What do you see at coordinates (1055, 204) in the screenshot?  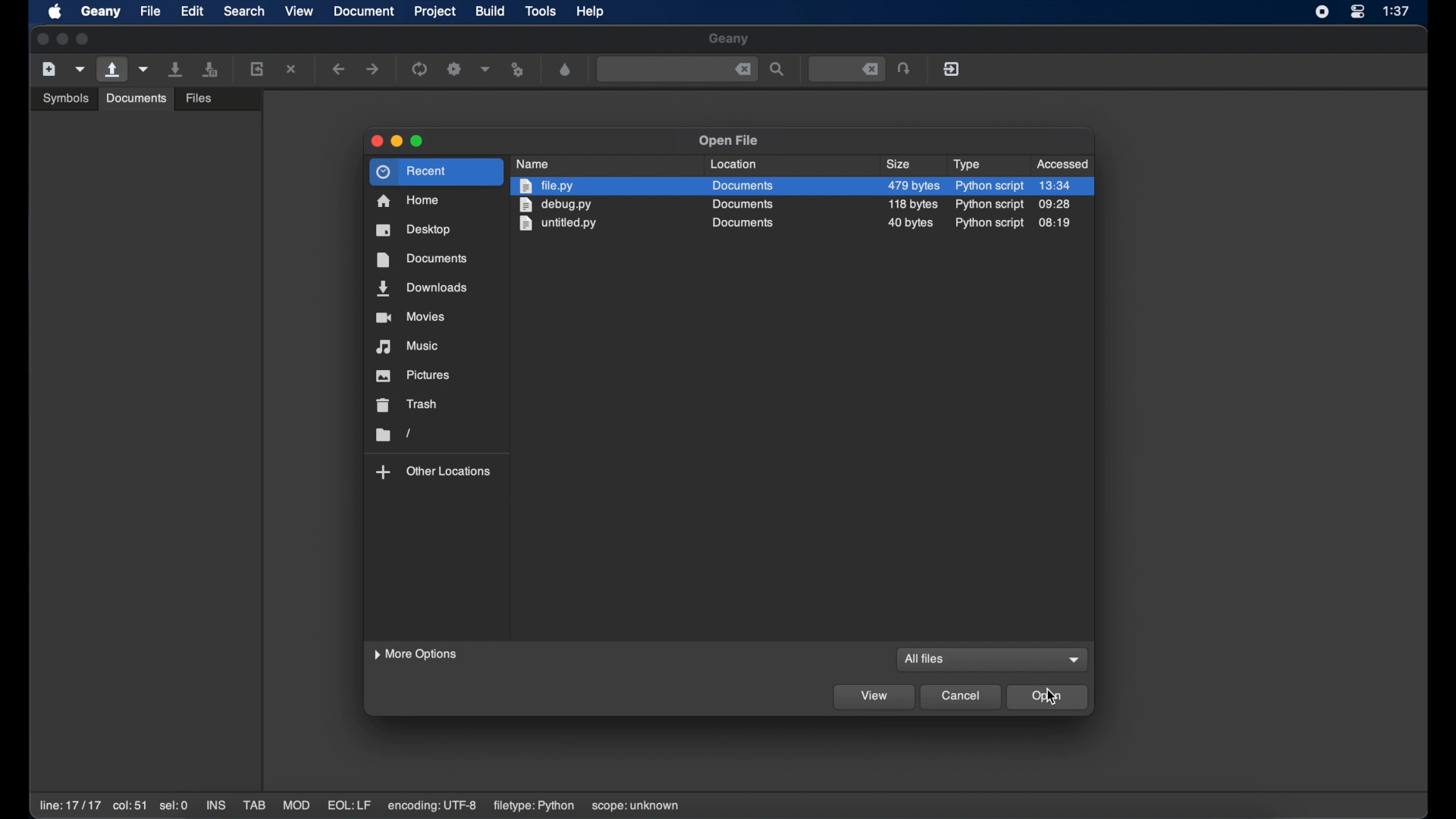 I see `9.28` at bounding box center [1055, 204].